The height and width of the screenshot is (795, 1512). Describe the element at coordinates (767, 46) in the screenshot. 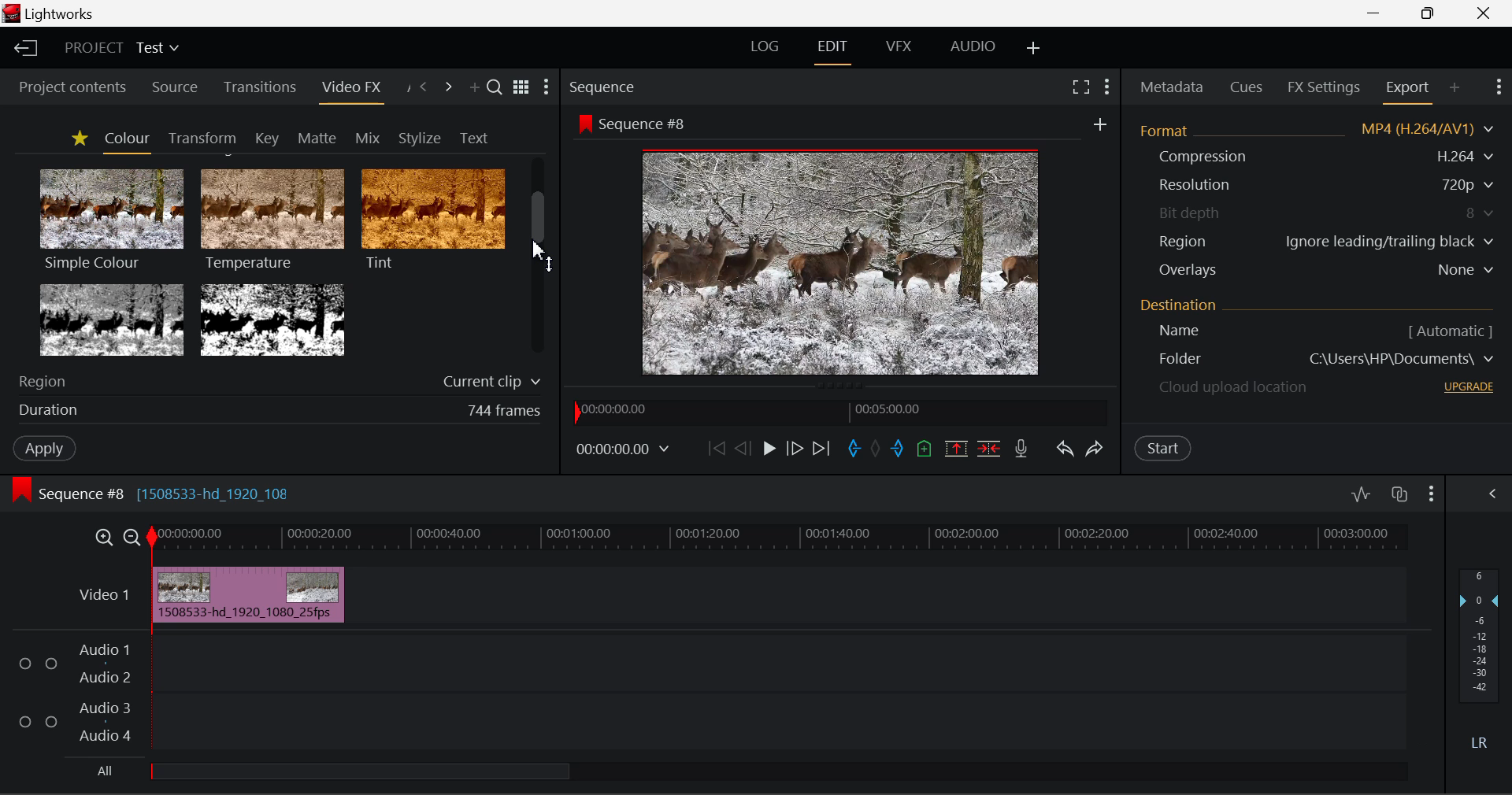

I see `LOG Layout` at that location.